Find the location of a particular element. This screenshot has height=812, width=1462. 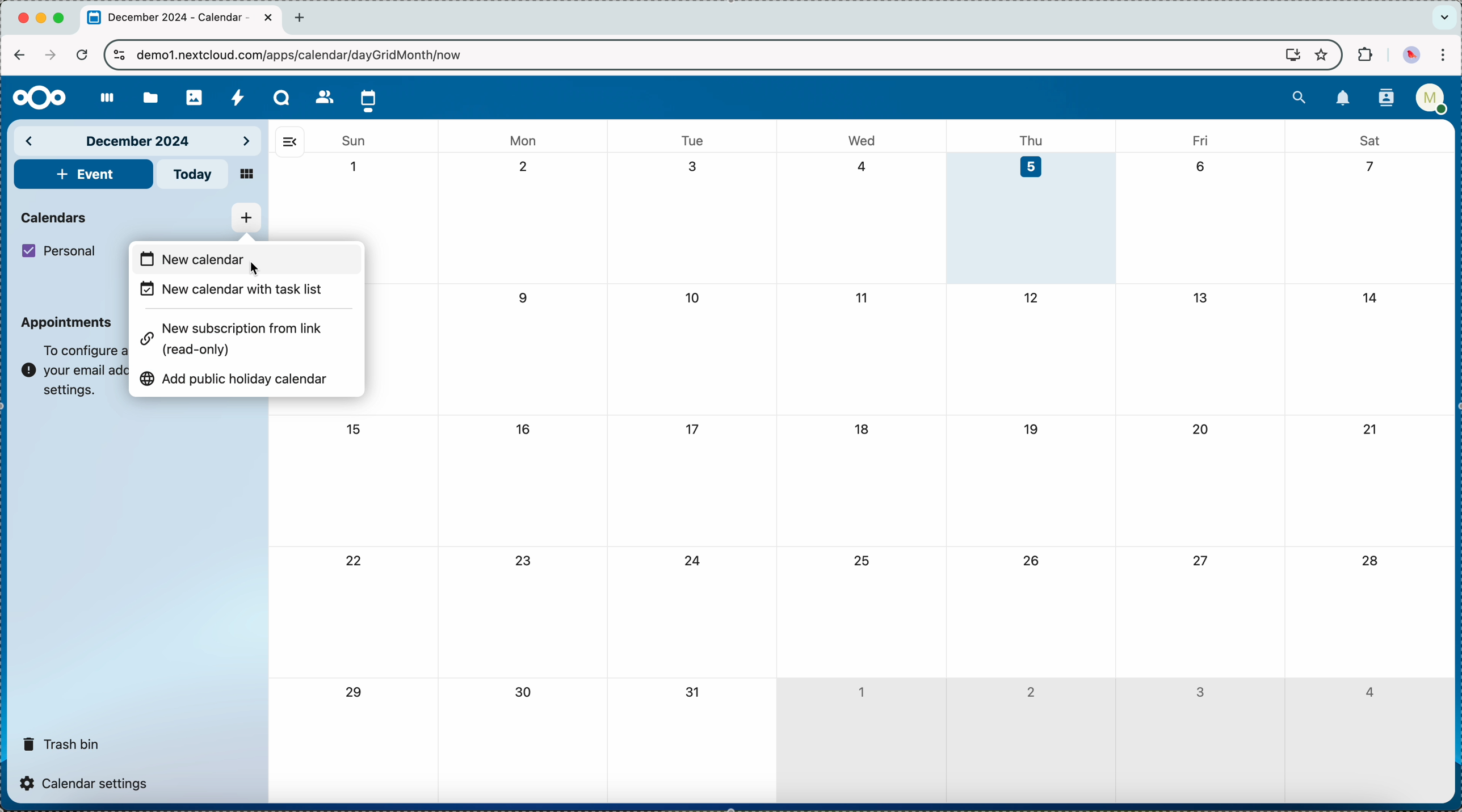

Nextcloud logo is located at coordinates (35, 98).